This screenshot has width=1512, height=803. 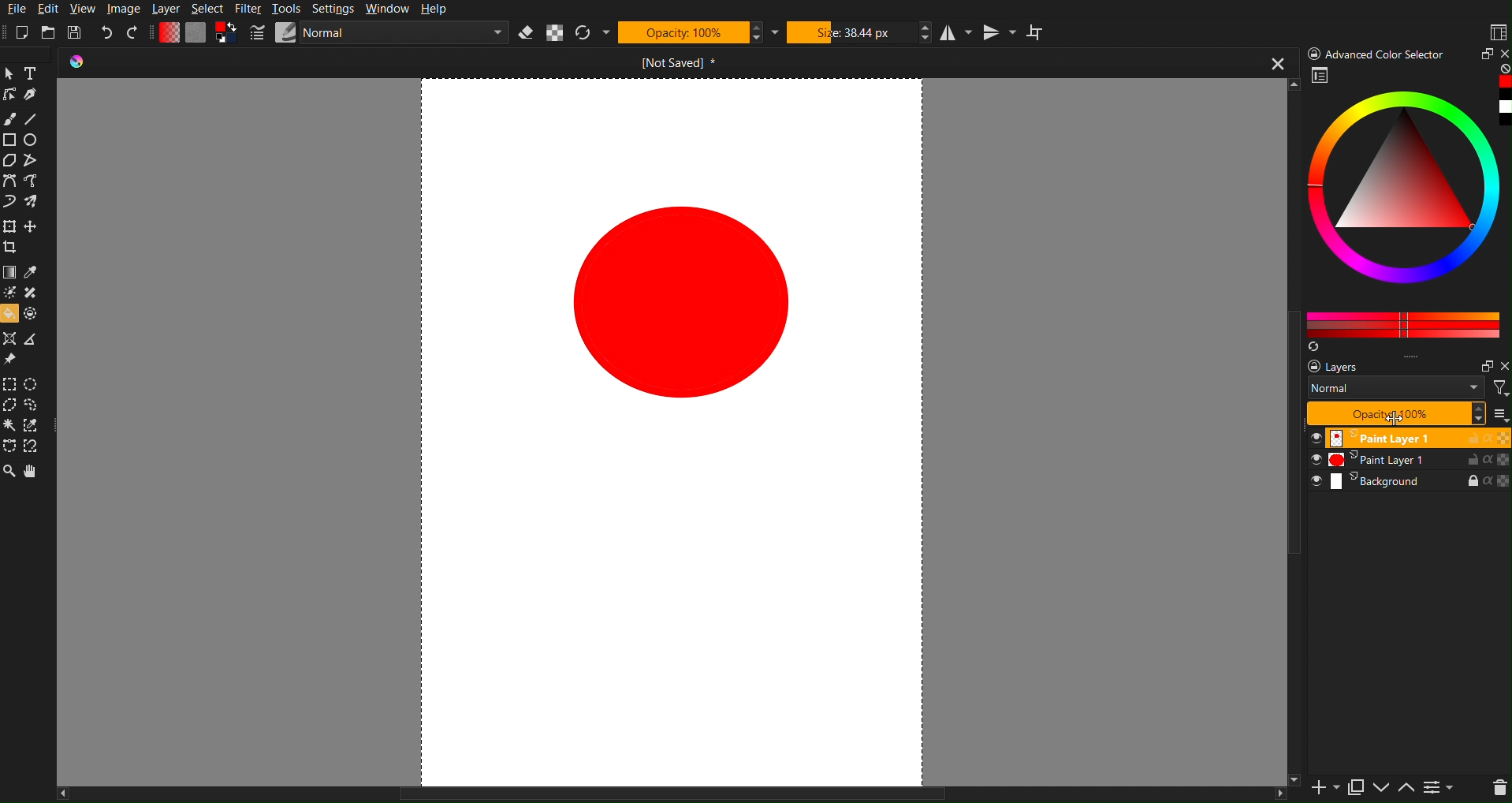 I want to click on Lasso, so click(x=34, y=405).